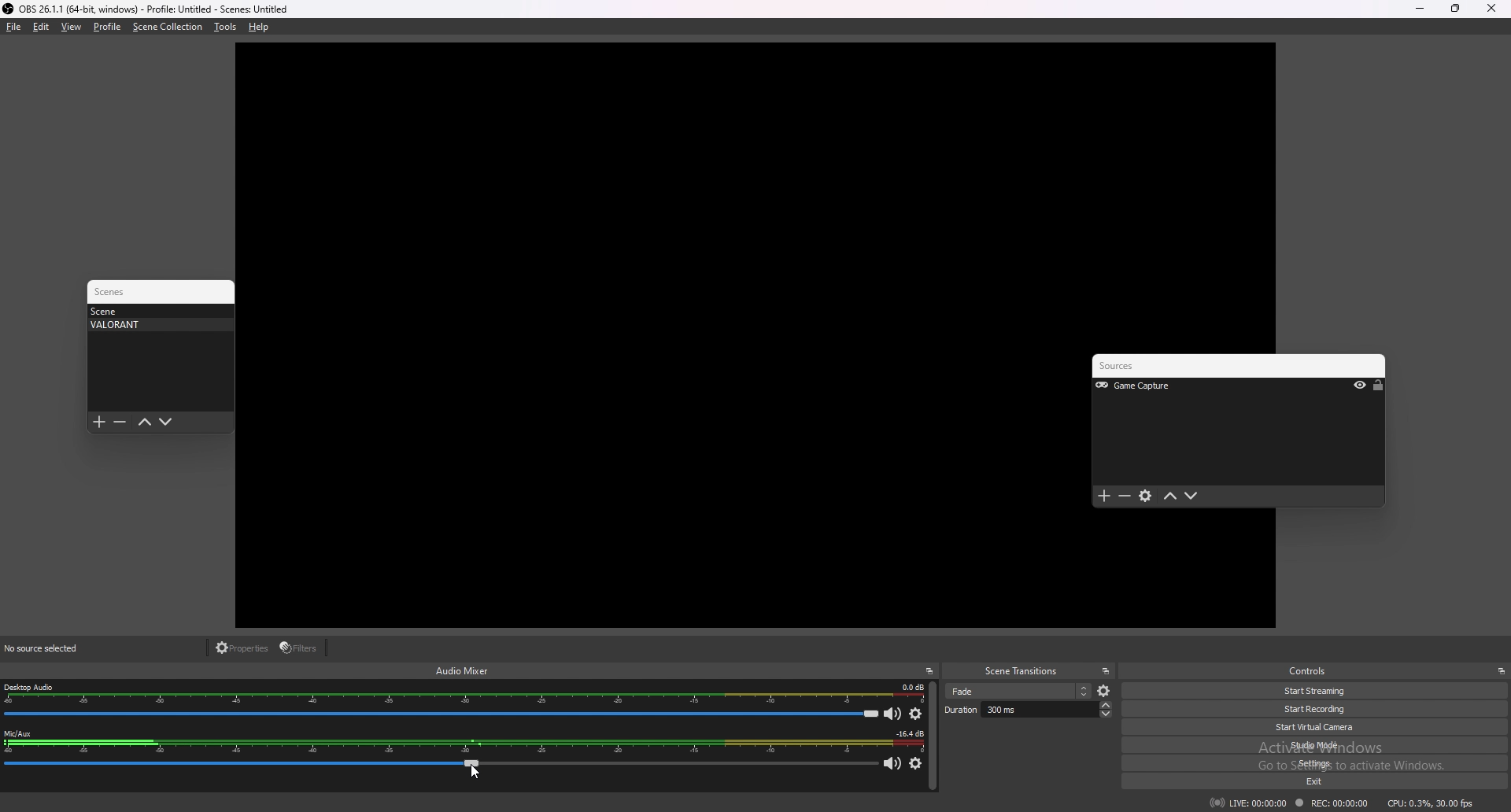 The height and width of the screenshot is (812, 1511). Describe the element at coordinates (144, 423) in the screenshot. I see `move up` at that location.